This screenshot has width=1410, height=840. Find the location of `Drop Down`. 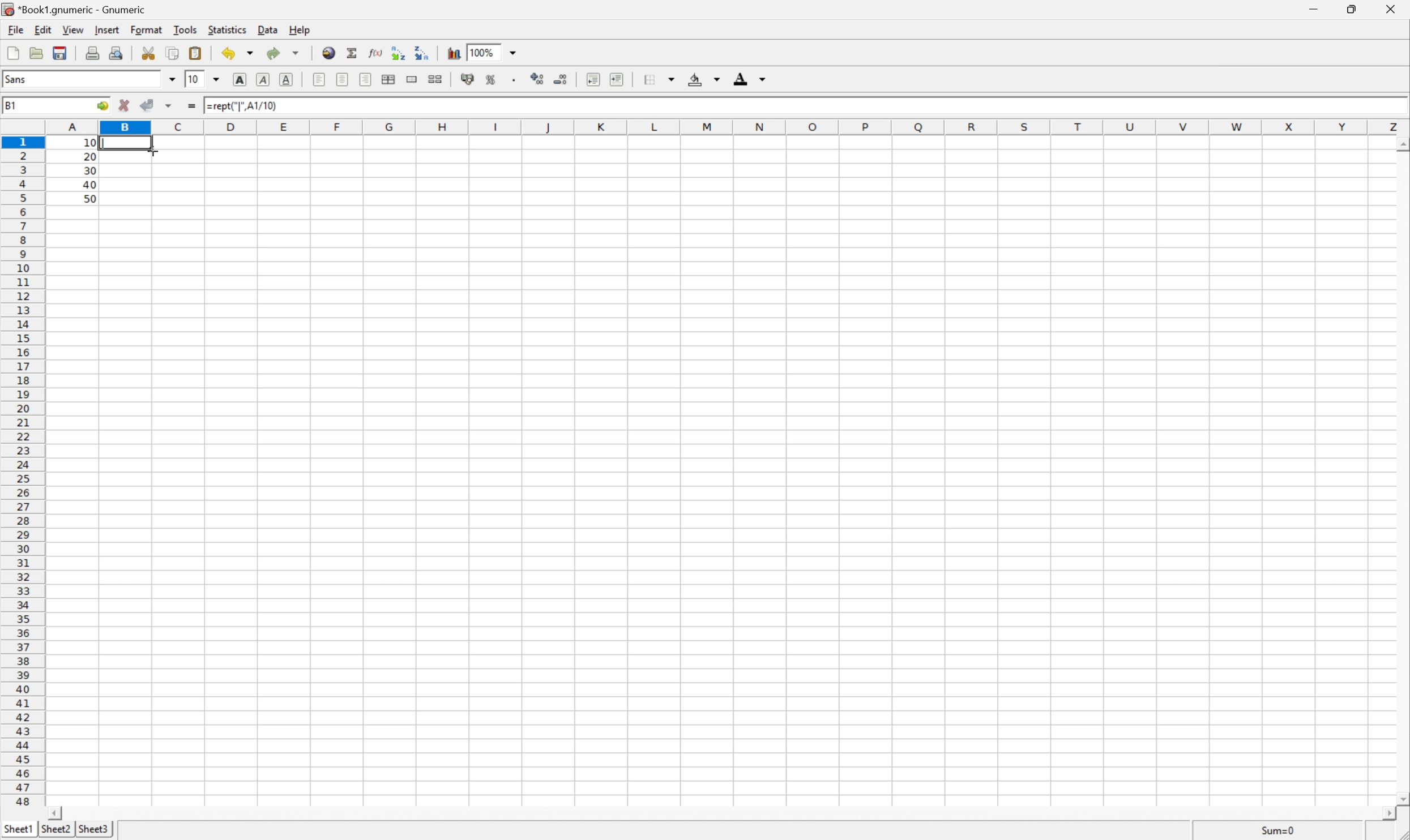

Drop Down is located at coordinates (171, 79).